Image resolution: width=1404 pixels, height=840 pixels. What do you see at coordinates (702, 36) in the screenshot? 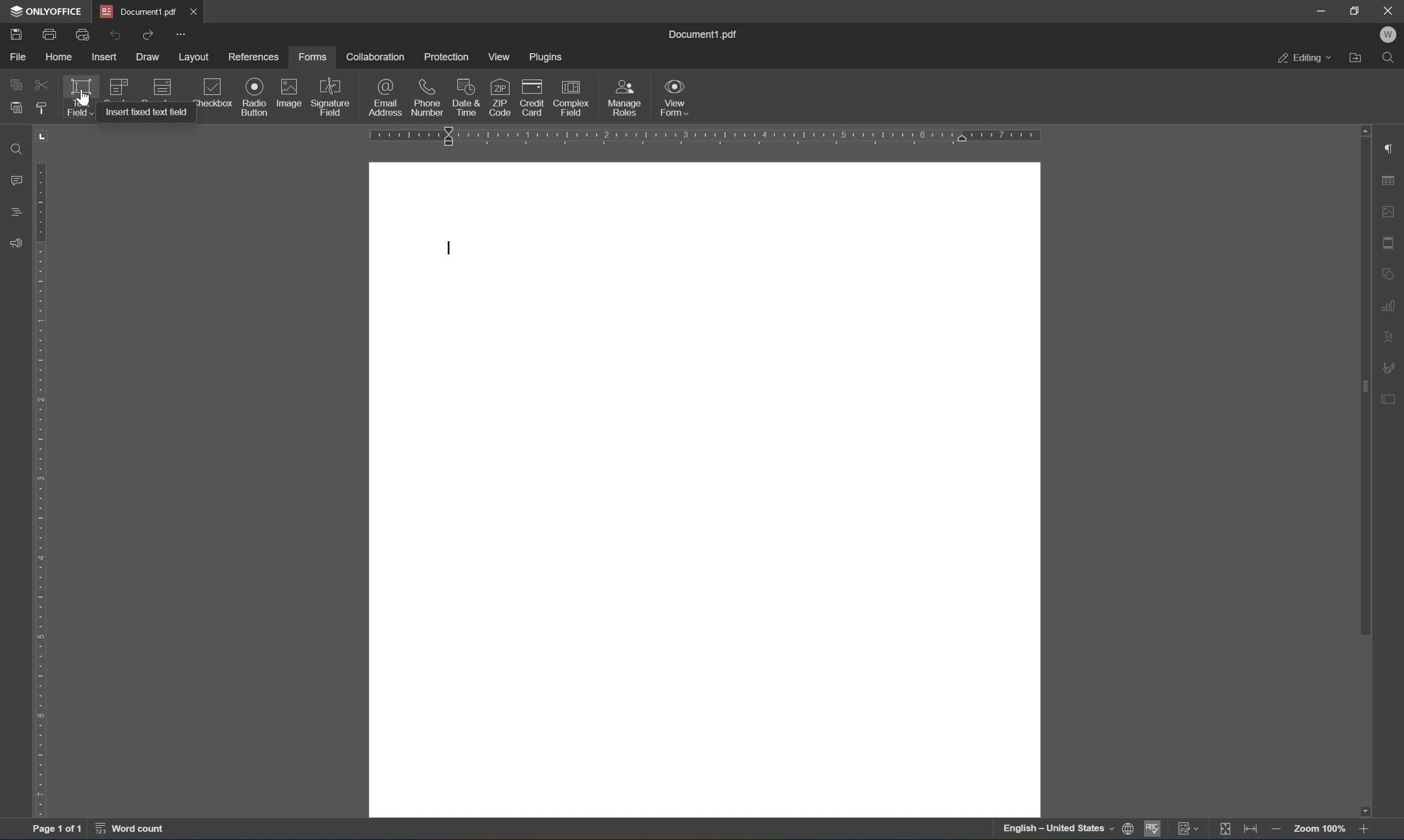
I see `document1.pdf` at bounding box center [702, 36].